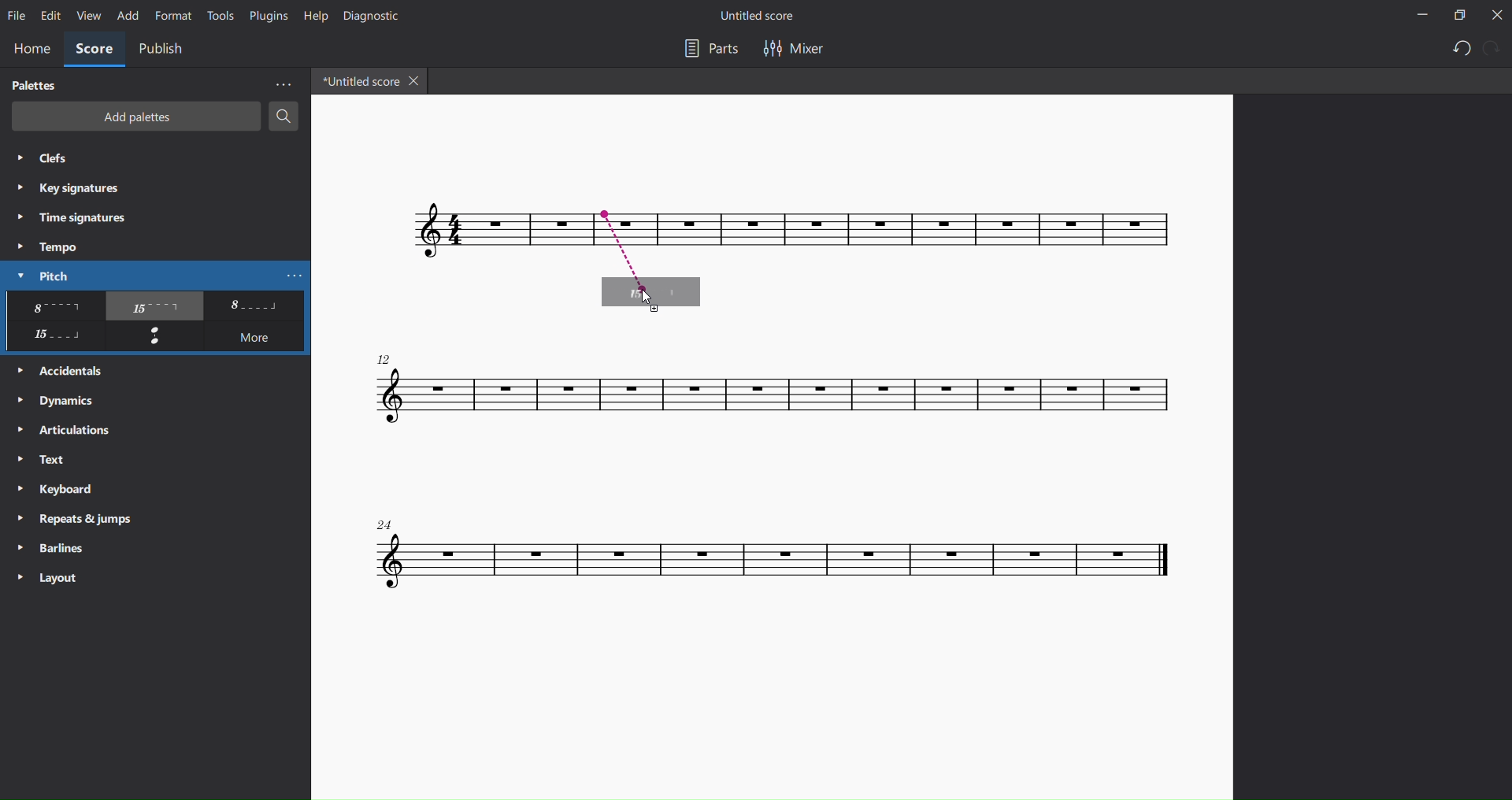  Describe the element at coordinates (28, 50) in the screenshot. I see `home` at that location.